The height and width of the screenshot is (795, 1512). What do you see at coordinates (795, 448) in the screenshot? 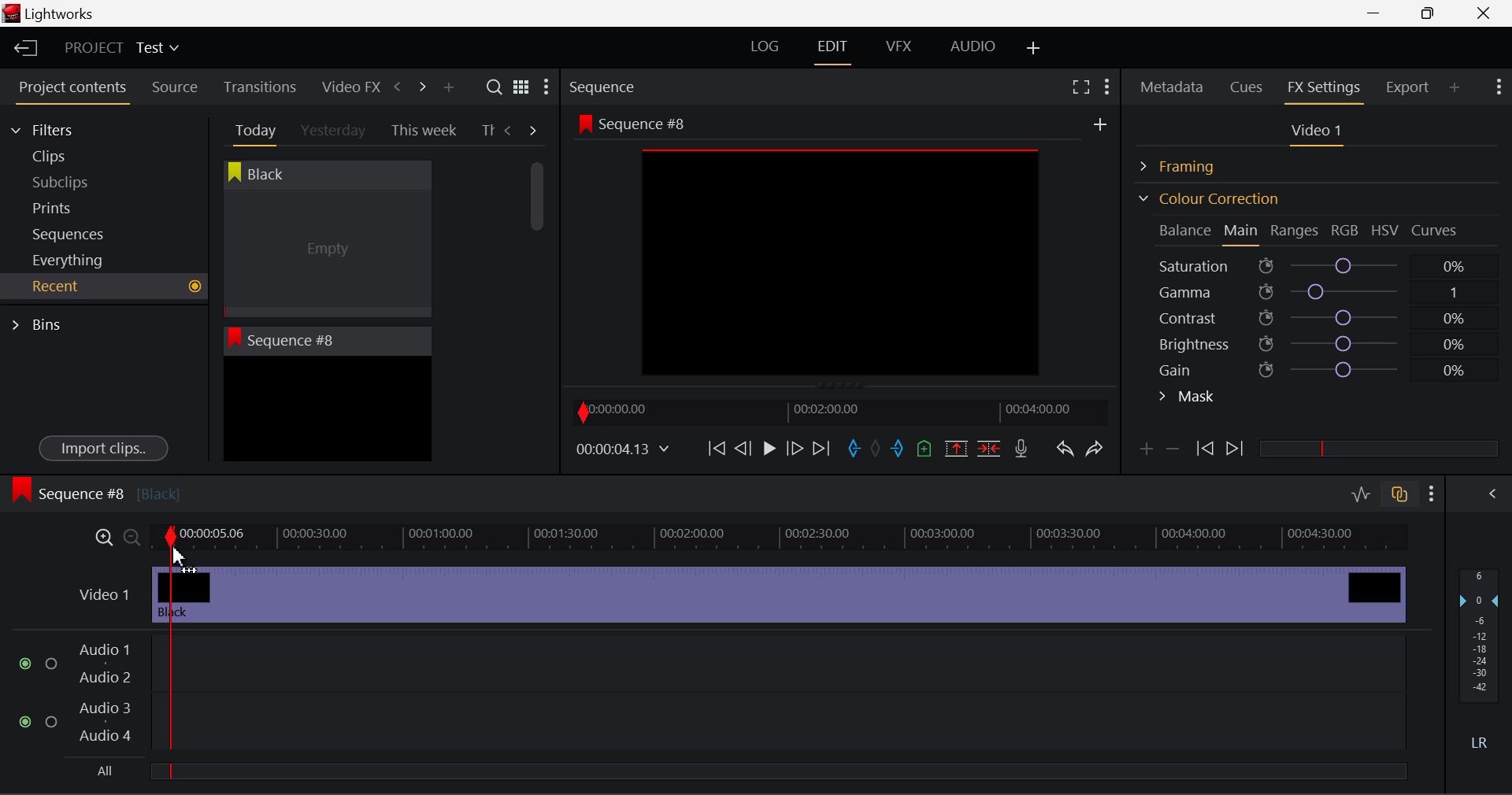
I see `Go Forward` at bounding box center [795, 448].